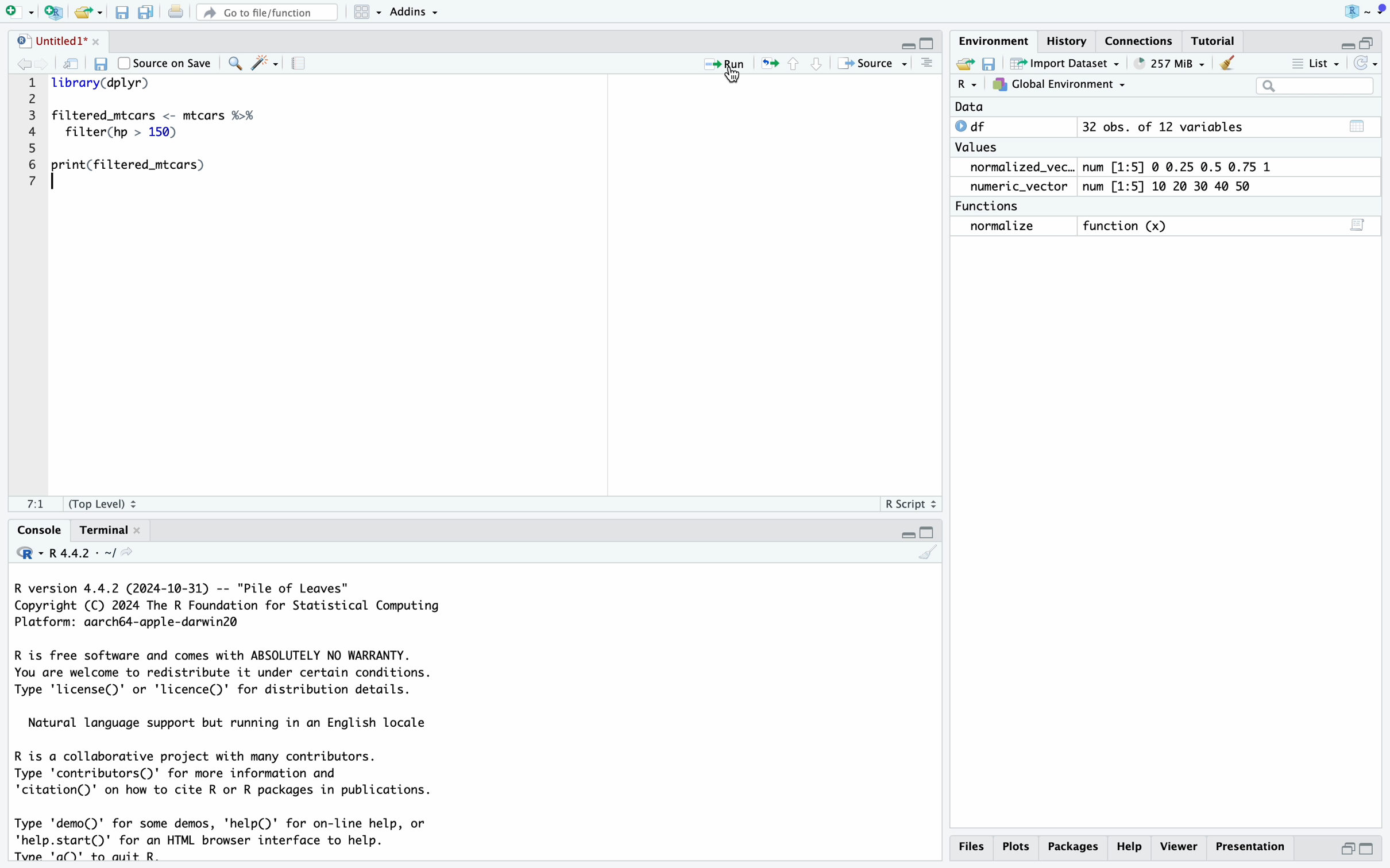  What do you see at coordinates (303, 64) in the screenshot?
I see `Compile Report` at bounding box center [303, 64].